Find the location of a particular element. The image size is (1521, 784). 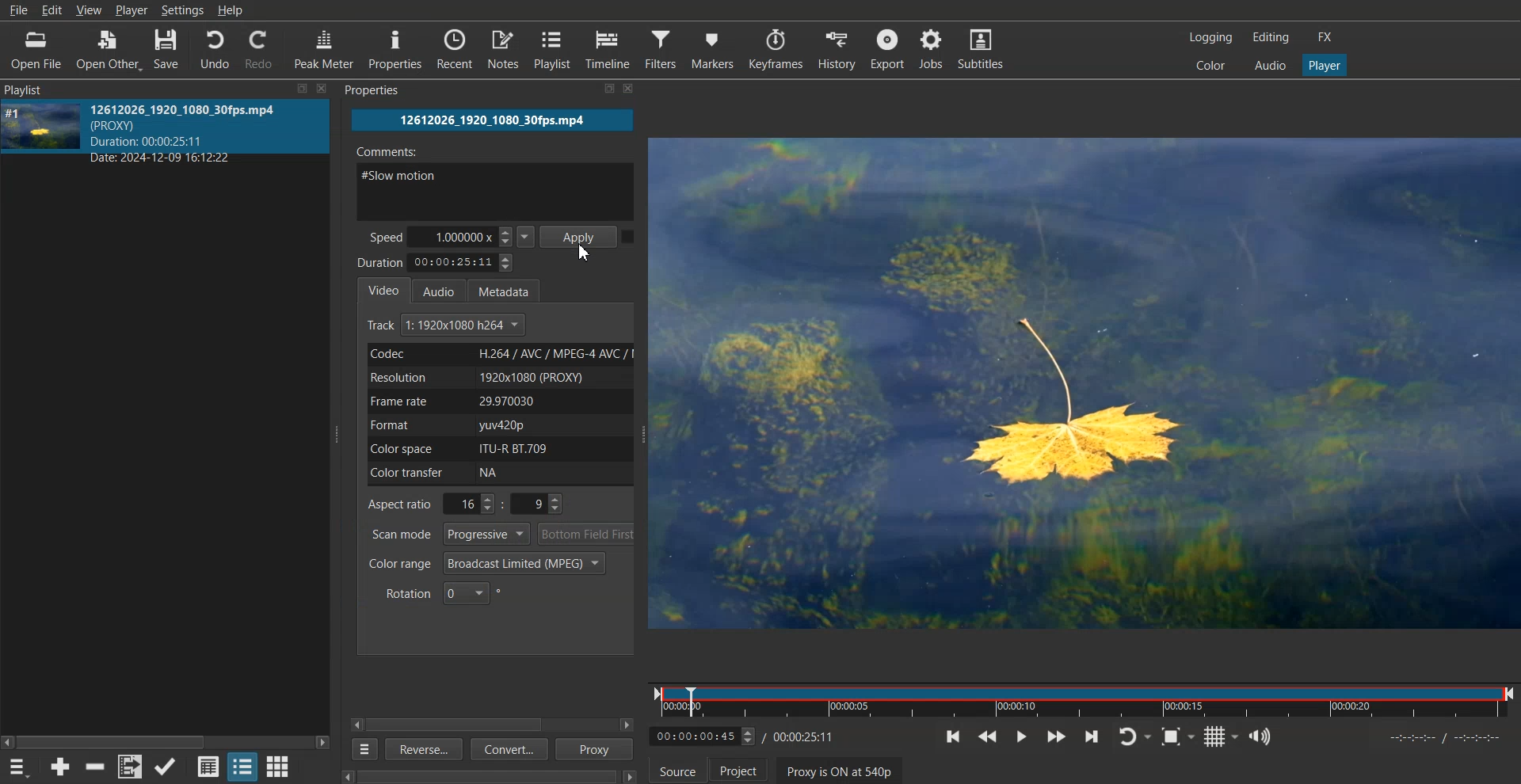

Playlist is located at coordinates (554, 49).